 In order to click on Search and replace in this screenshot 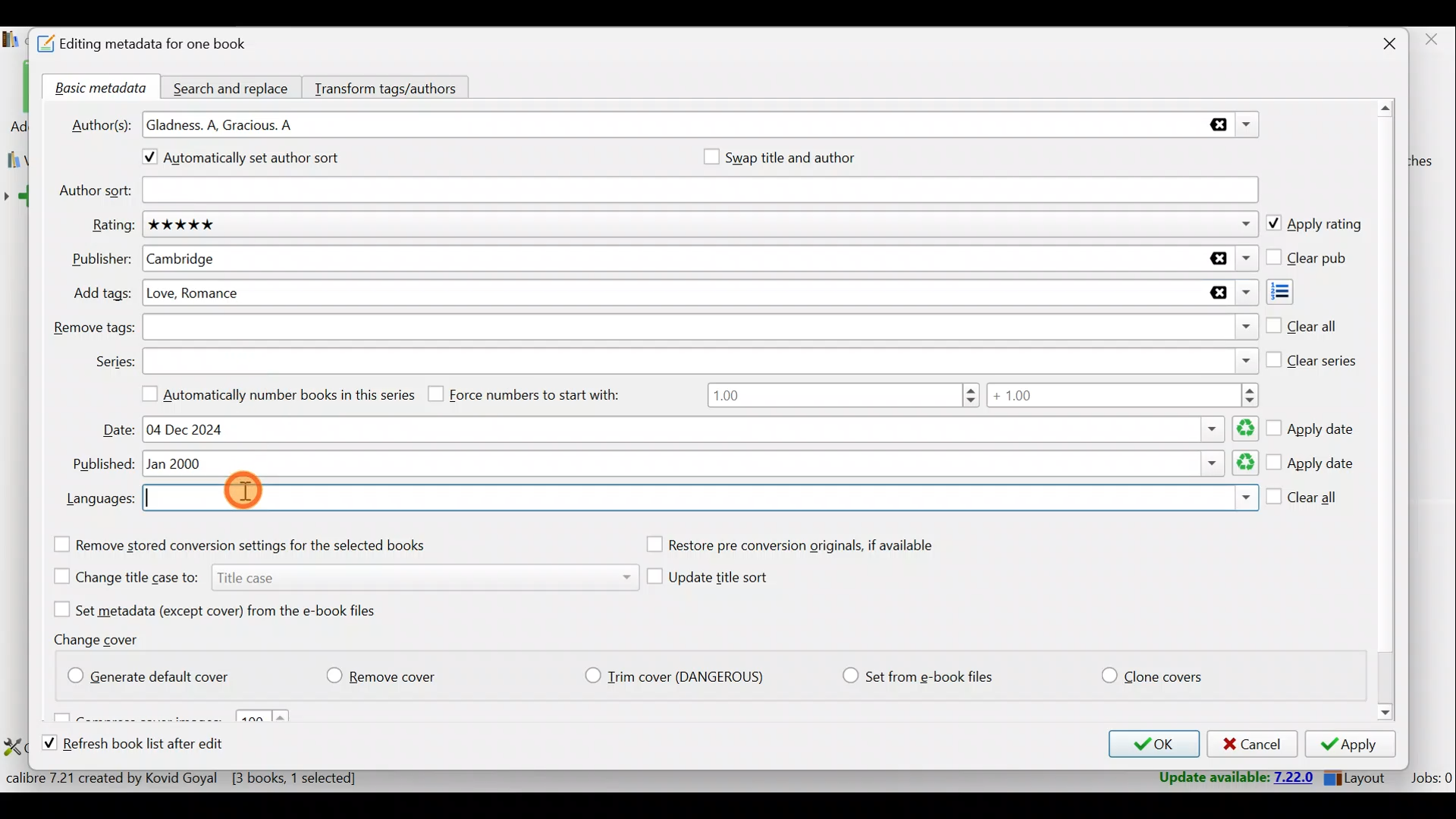, I will do `click(233, 86)`.